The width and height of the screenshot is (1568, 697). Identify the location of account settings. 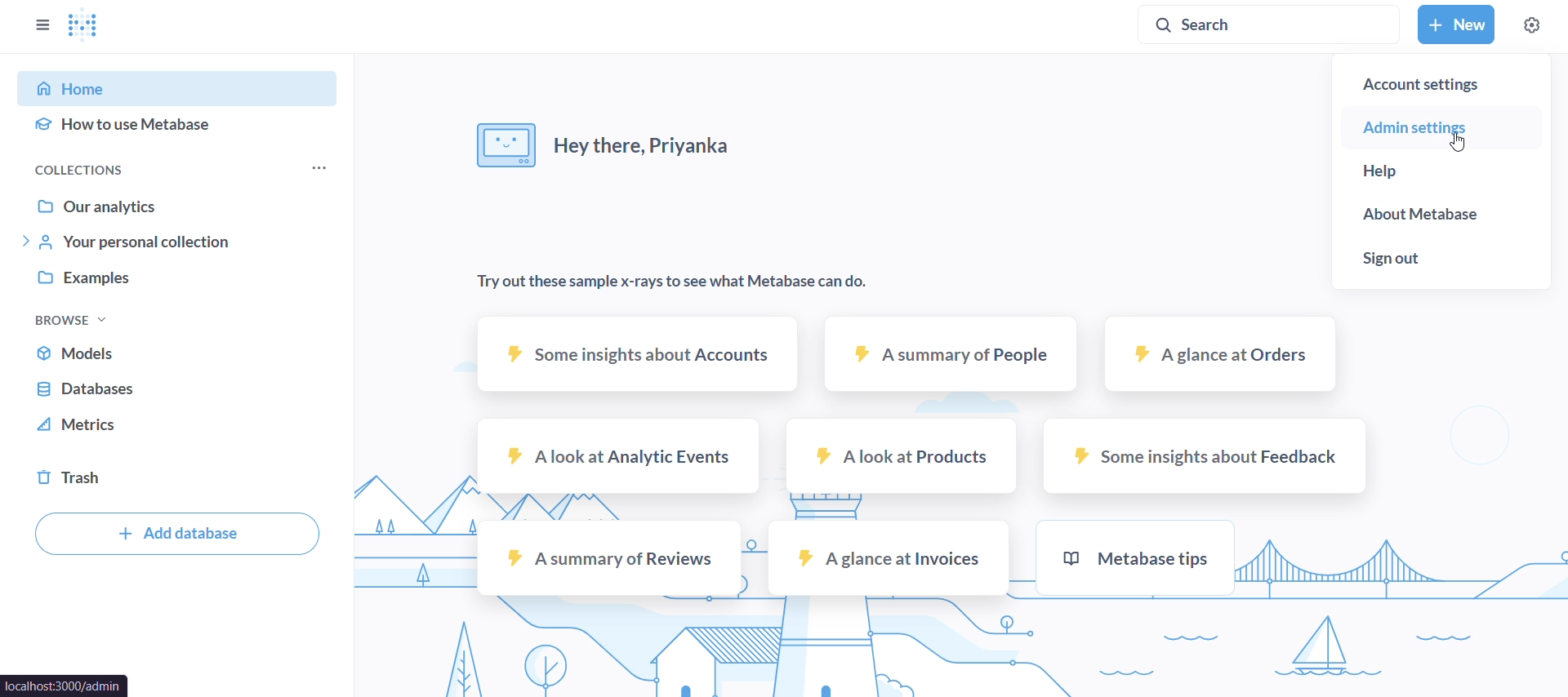
(1438, 80).